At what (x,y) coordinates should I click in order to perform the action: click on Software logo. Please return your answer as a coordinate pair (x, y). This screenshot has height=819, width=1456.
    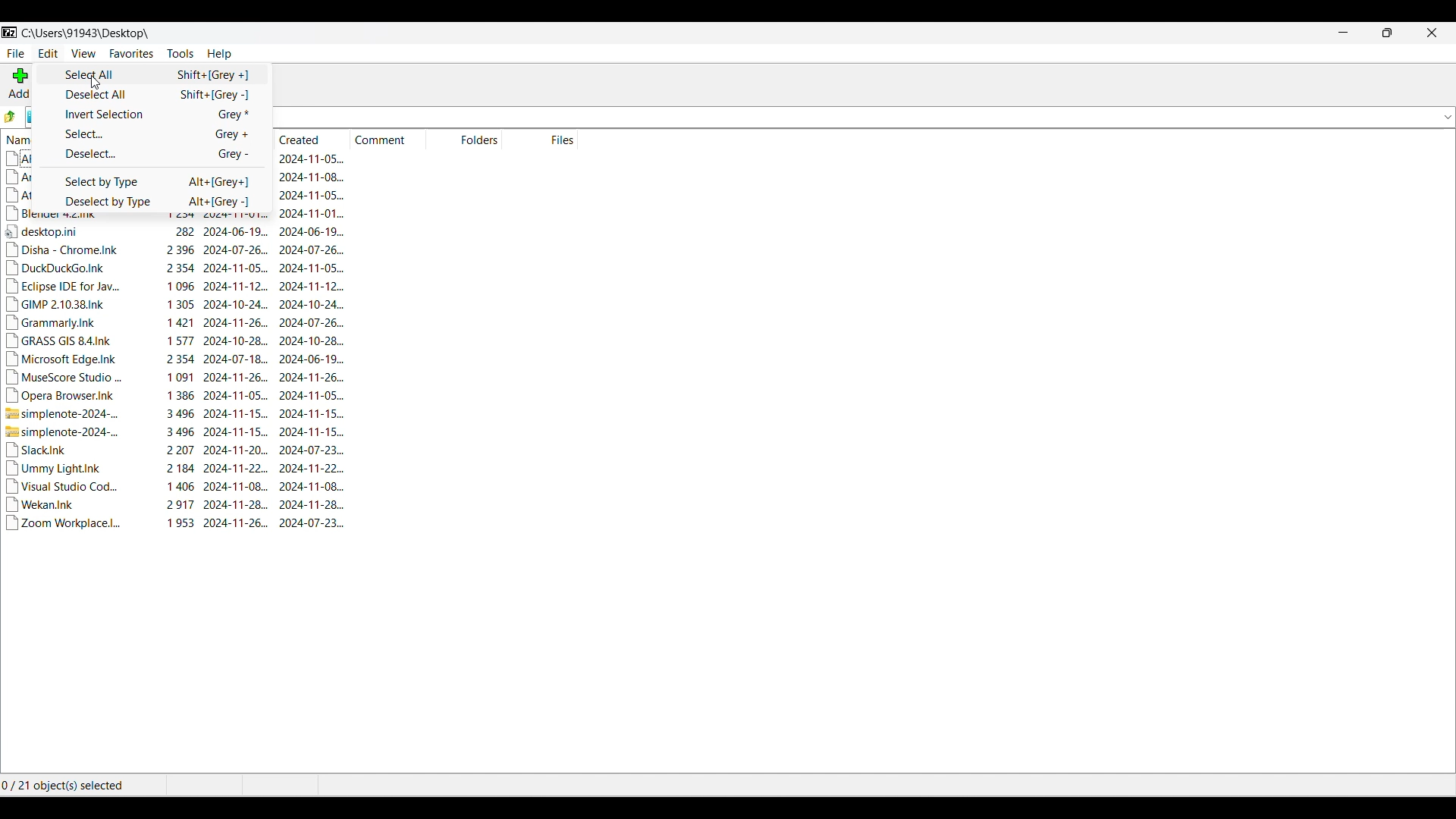
    Looking at the image, I should click on (9, 32).